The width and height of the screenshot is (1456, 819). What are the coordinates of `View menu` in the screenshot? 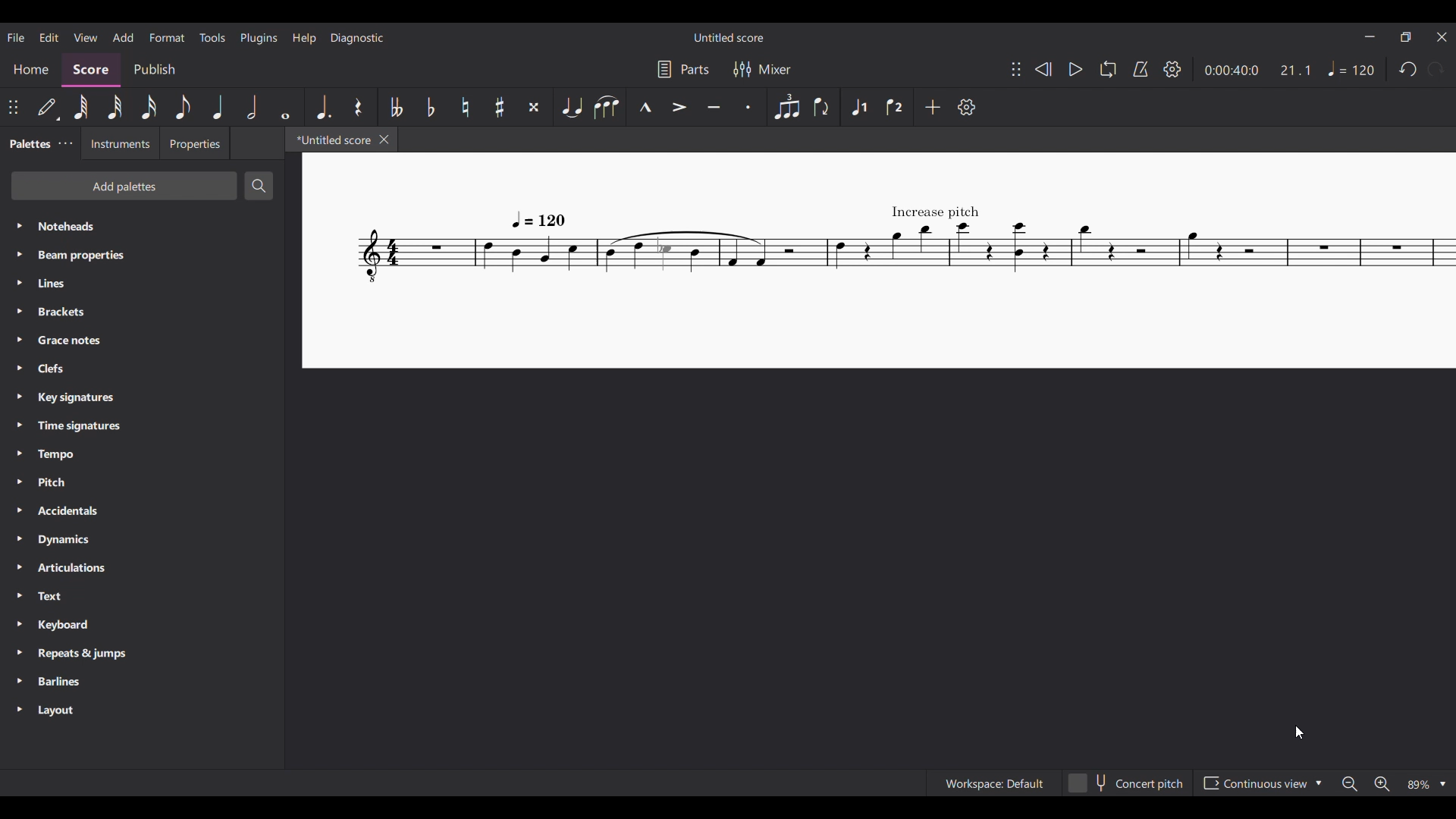 It's located at (85, 37).